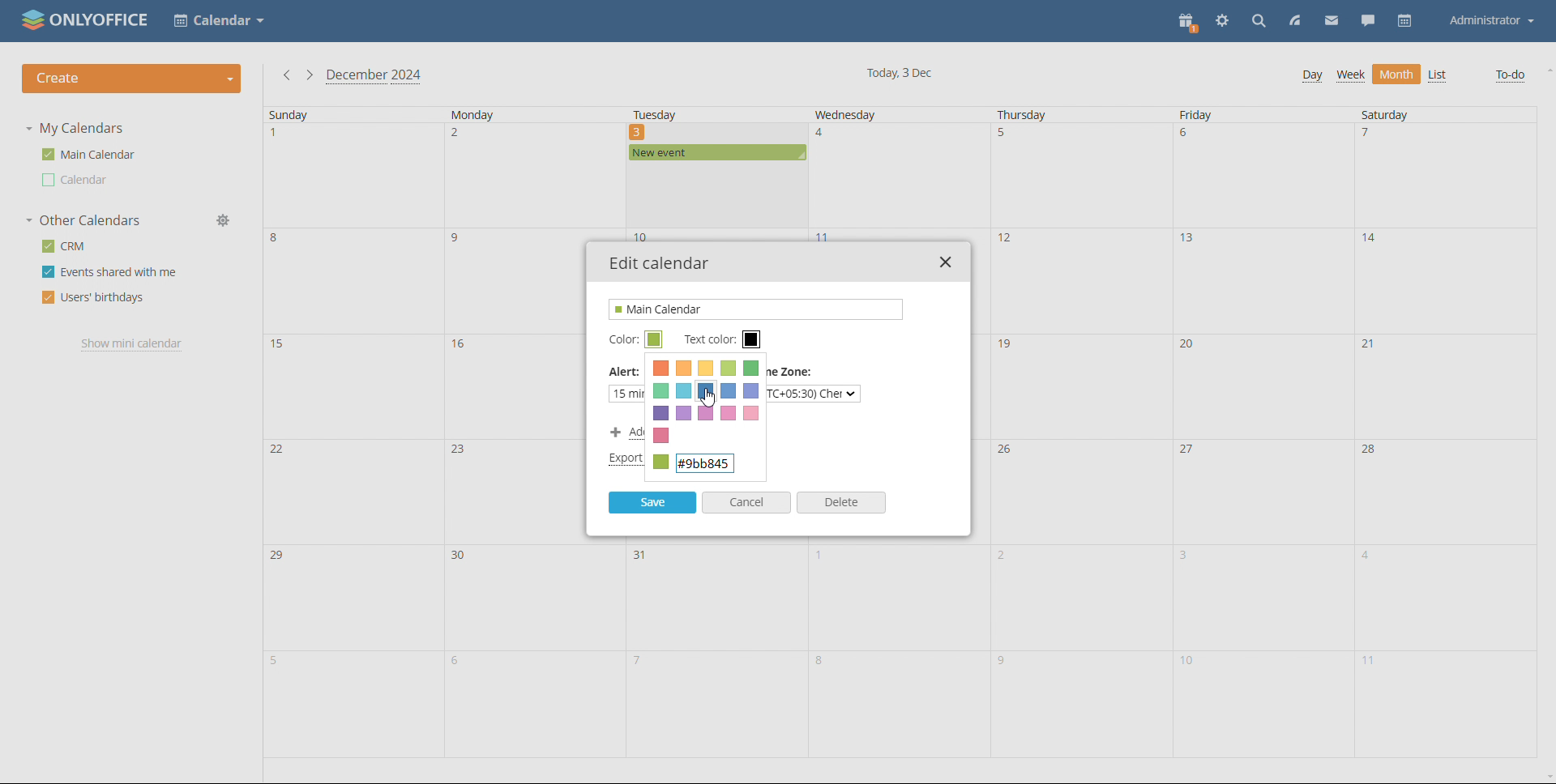 Image resolution: width=1556 pixels, height=784 pixels. Describe the element at coordinates (353, 705) in the screenshot. I see `date` at that location.